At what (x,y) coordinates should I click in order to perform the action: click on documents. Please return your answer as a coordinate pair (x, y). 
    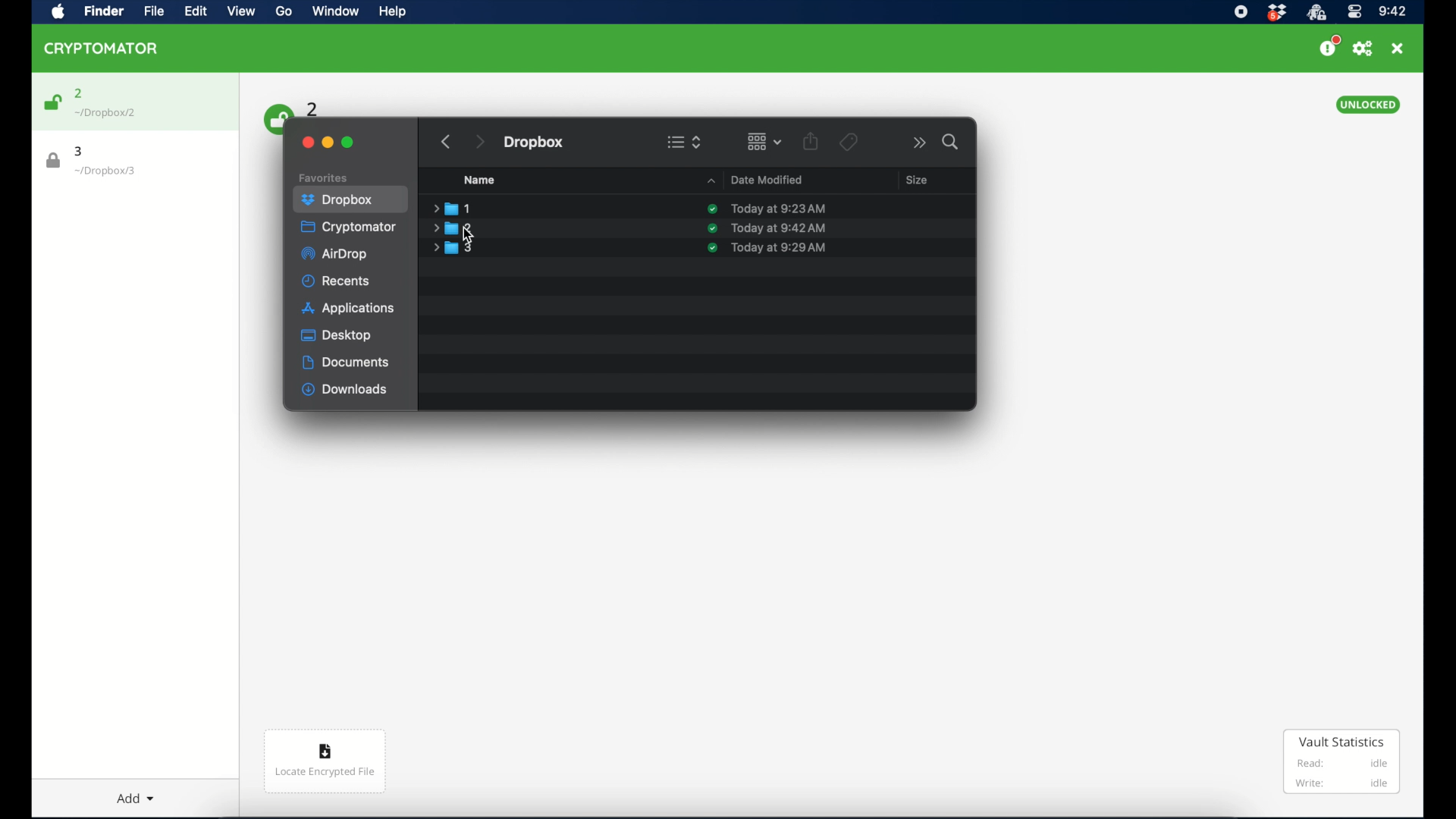
    Looking at the image, I should click on (346, 362).